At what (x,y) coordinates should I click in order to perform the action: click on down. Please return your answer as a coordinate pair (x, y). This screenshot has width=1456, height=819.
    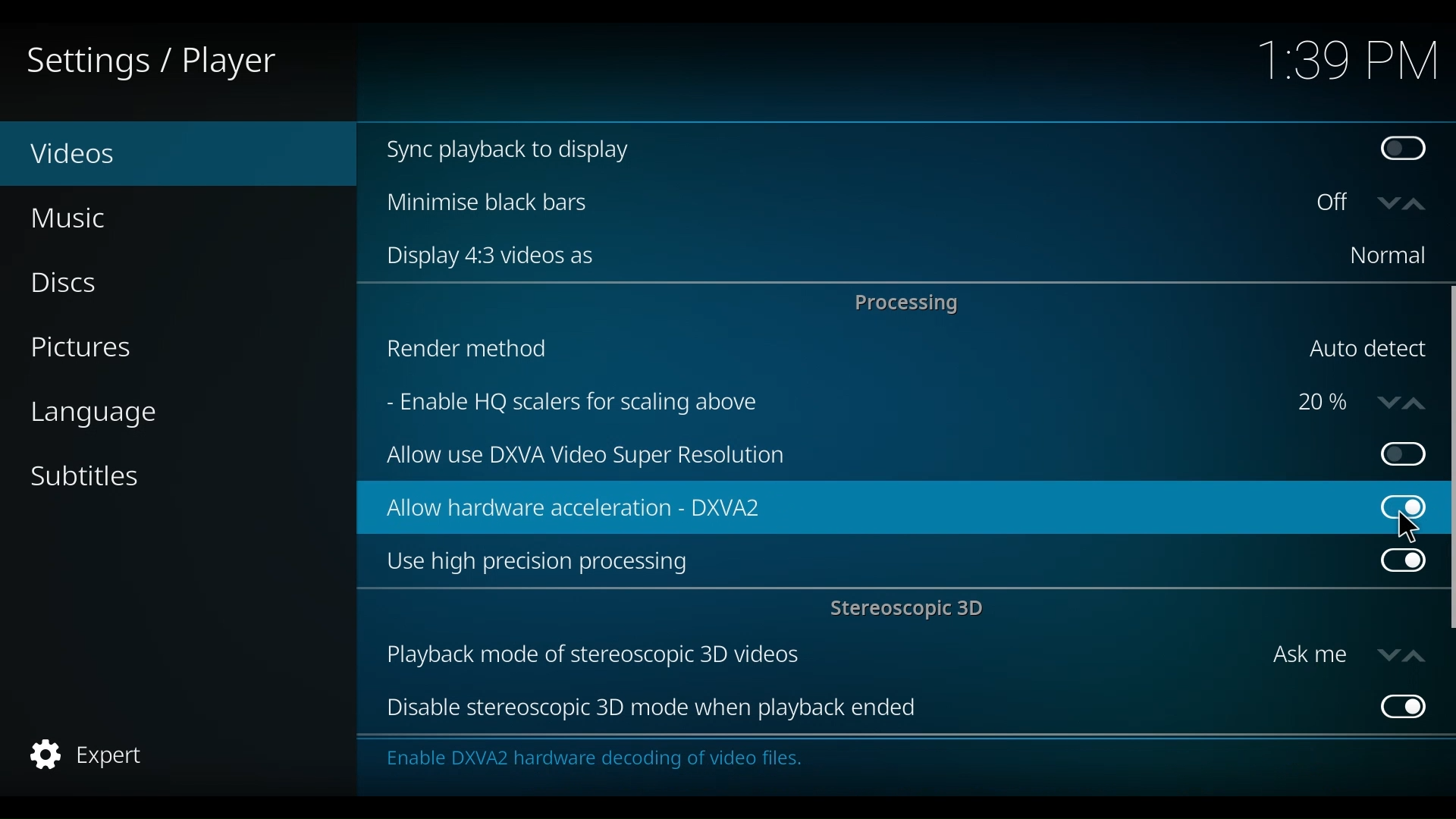
    Looking at the image, I should click on (1386, 654).